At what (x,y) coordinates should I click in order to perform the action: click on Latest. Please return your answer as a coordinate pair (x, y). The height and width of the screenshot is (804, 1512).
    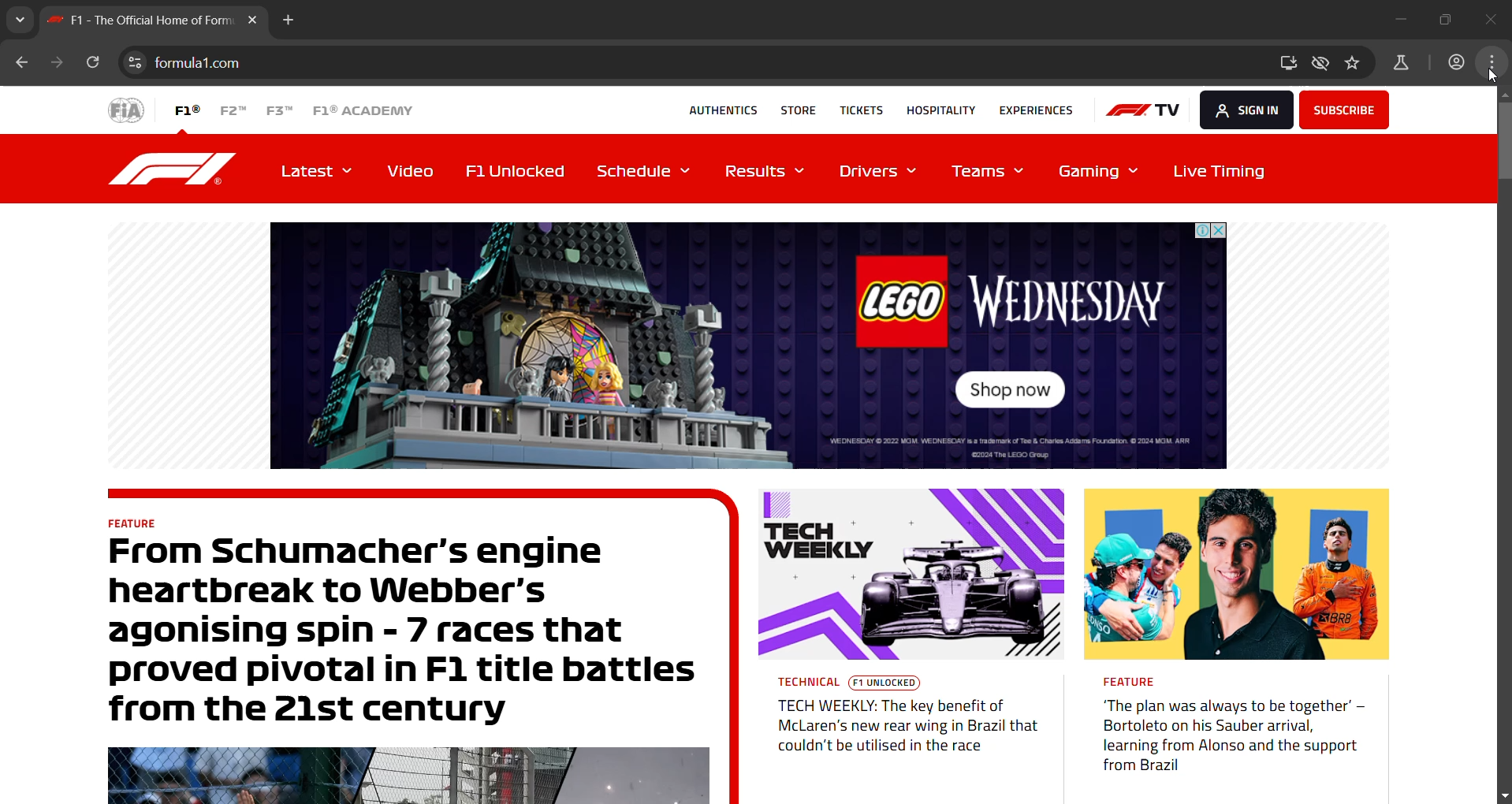
    Looking at the image, I should click on (311, 173).